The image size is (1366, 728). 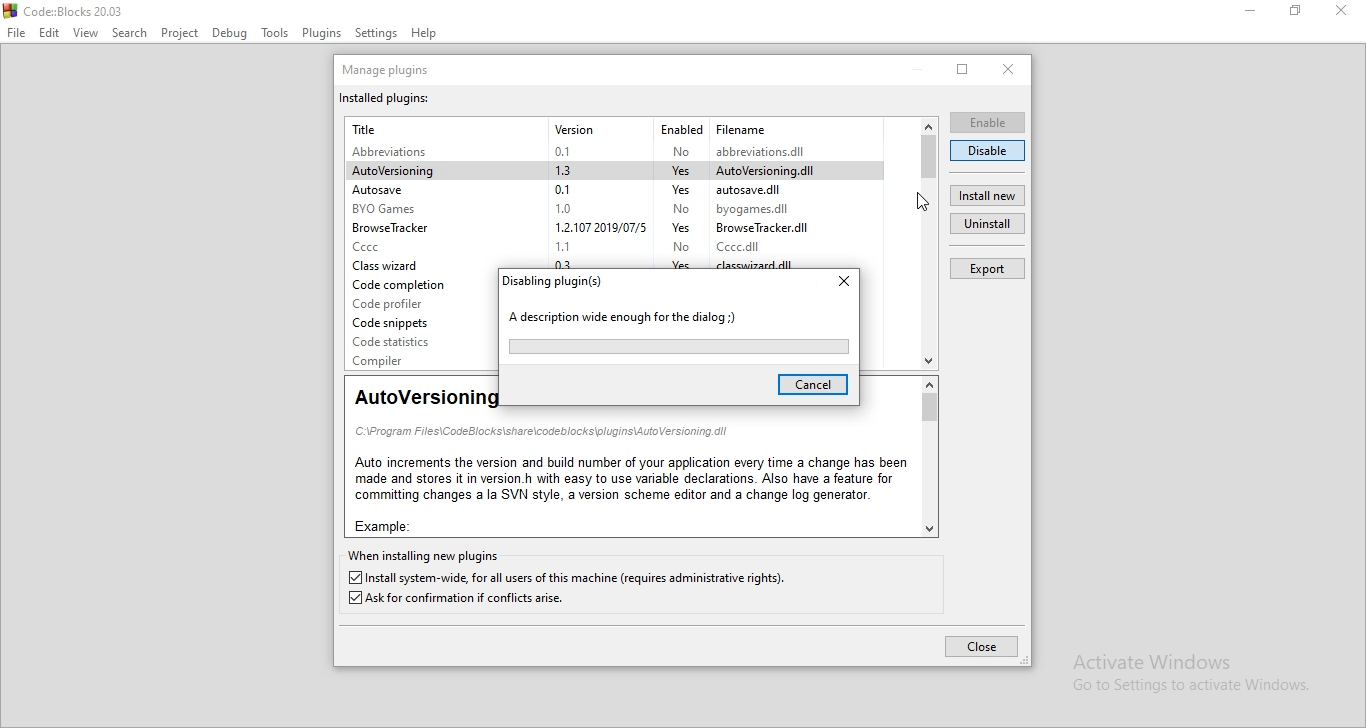 I want to click on classwizard.dil, so click(x=760, y=265).